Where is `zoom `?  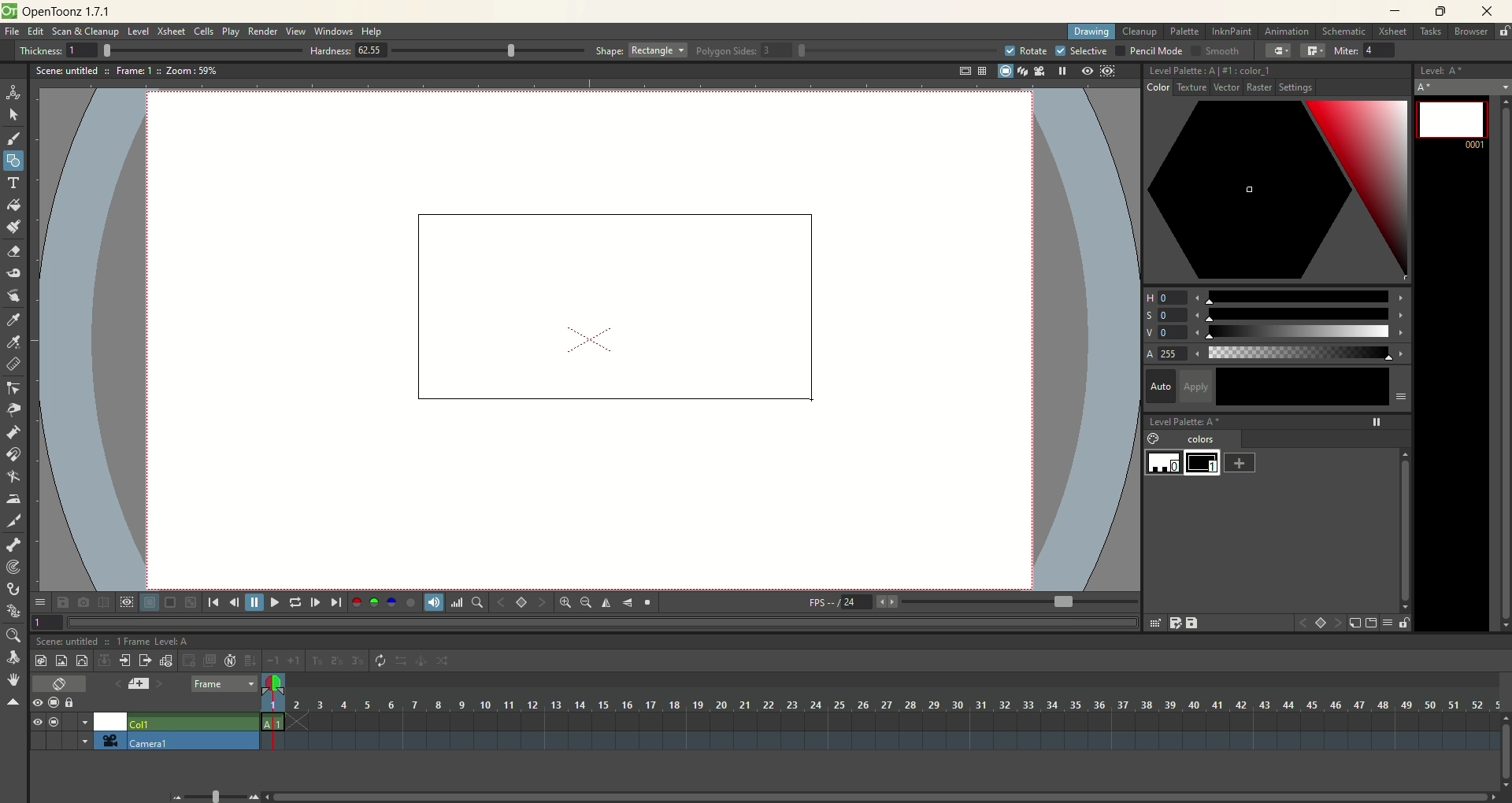
zoom  is located at coordinates (12, 636).